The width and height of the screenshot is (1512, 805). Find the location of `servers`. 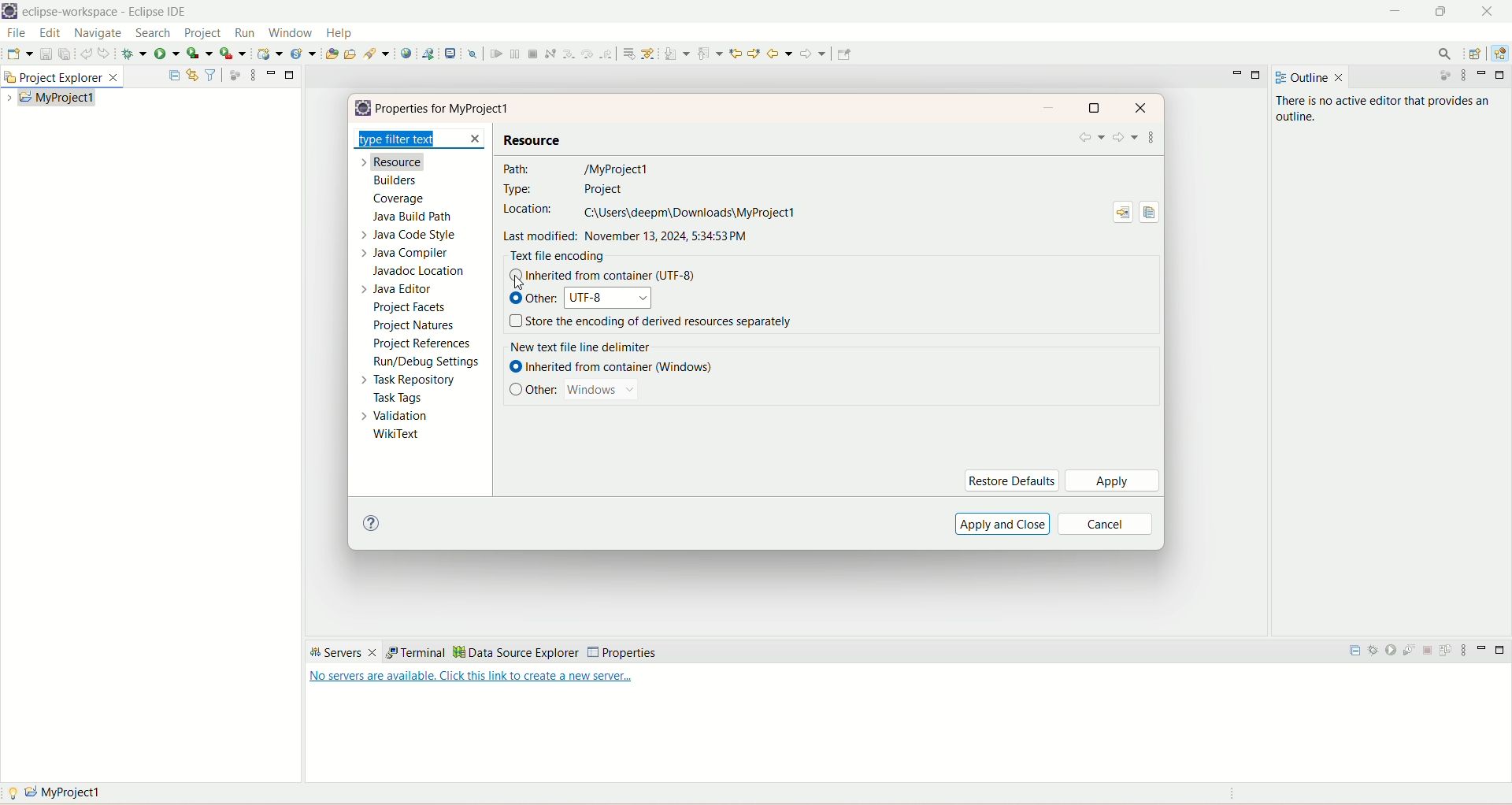

servers is located at coordinates (343, 653).